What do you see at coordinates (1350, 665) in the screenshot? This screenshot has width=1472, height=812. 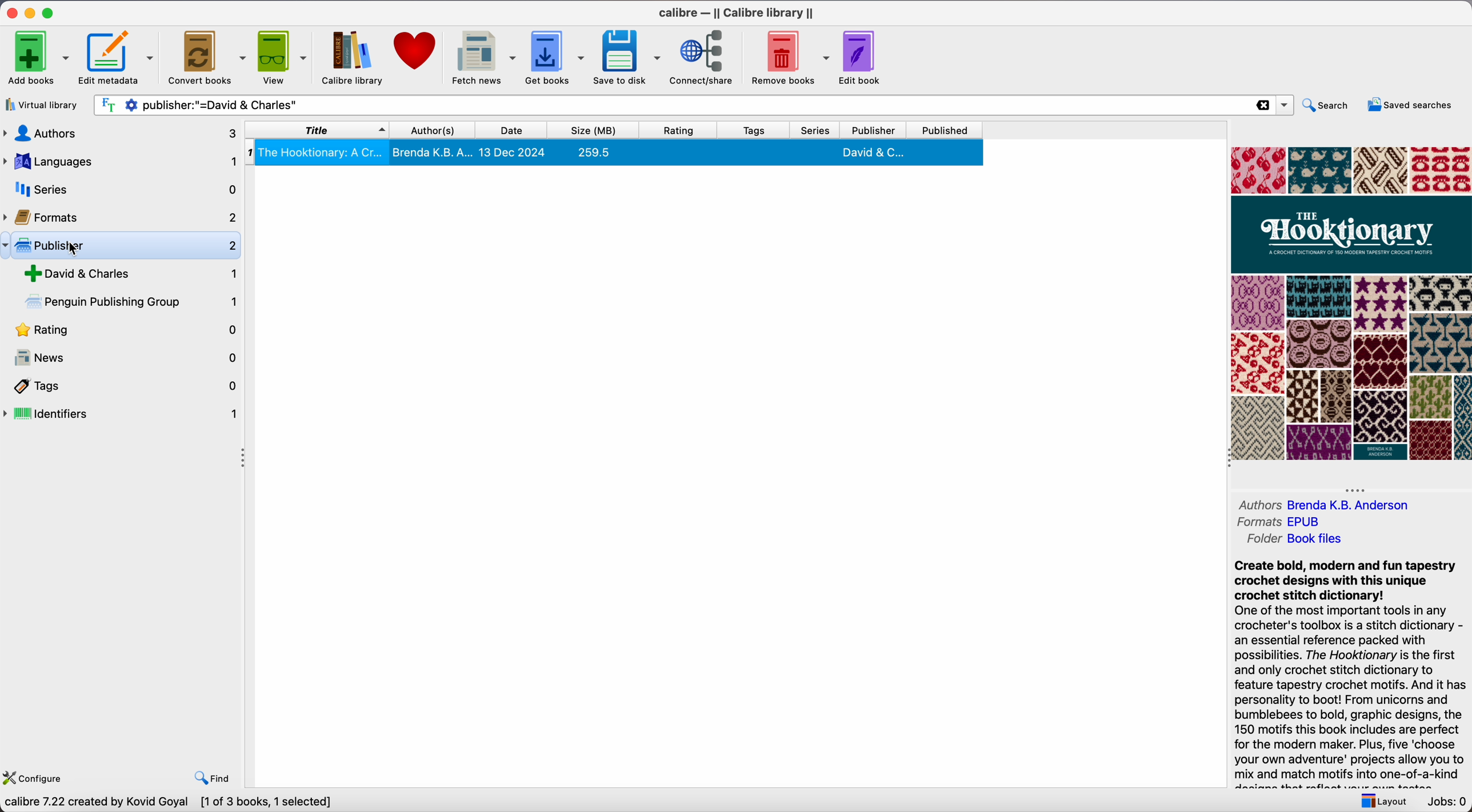 I see `synopsis` at bounding box center [1350, 665].